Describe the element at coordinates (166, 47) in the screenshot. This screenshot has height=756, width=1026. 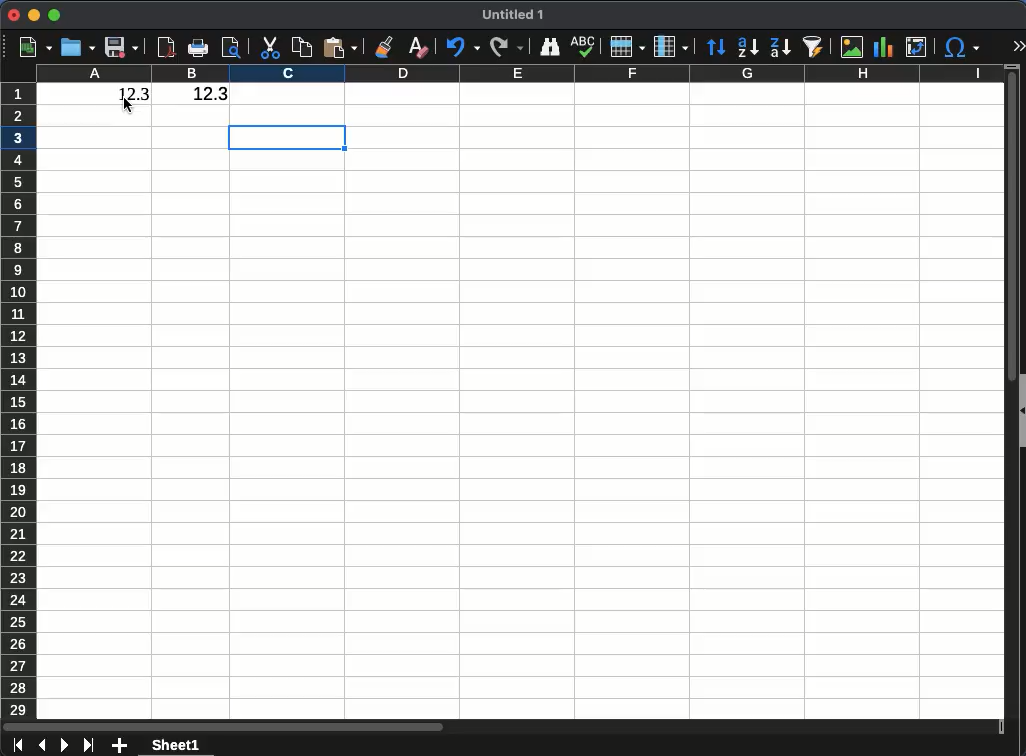
I see `pdf viewer` at that location.